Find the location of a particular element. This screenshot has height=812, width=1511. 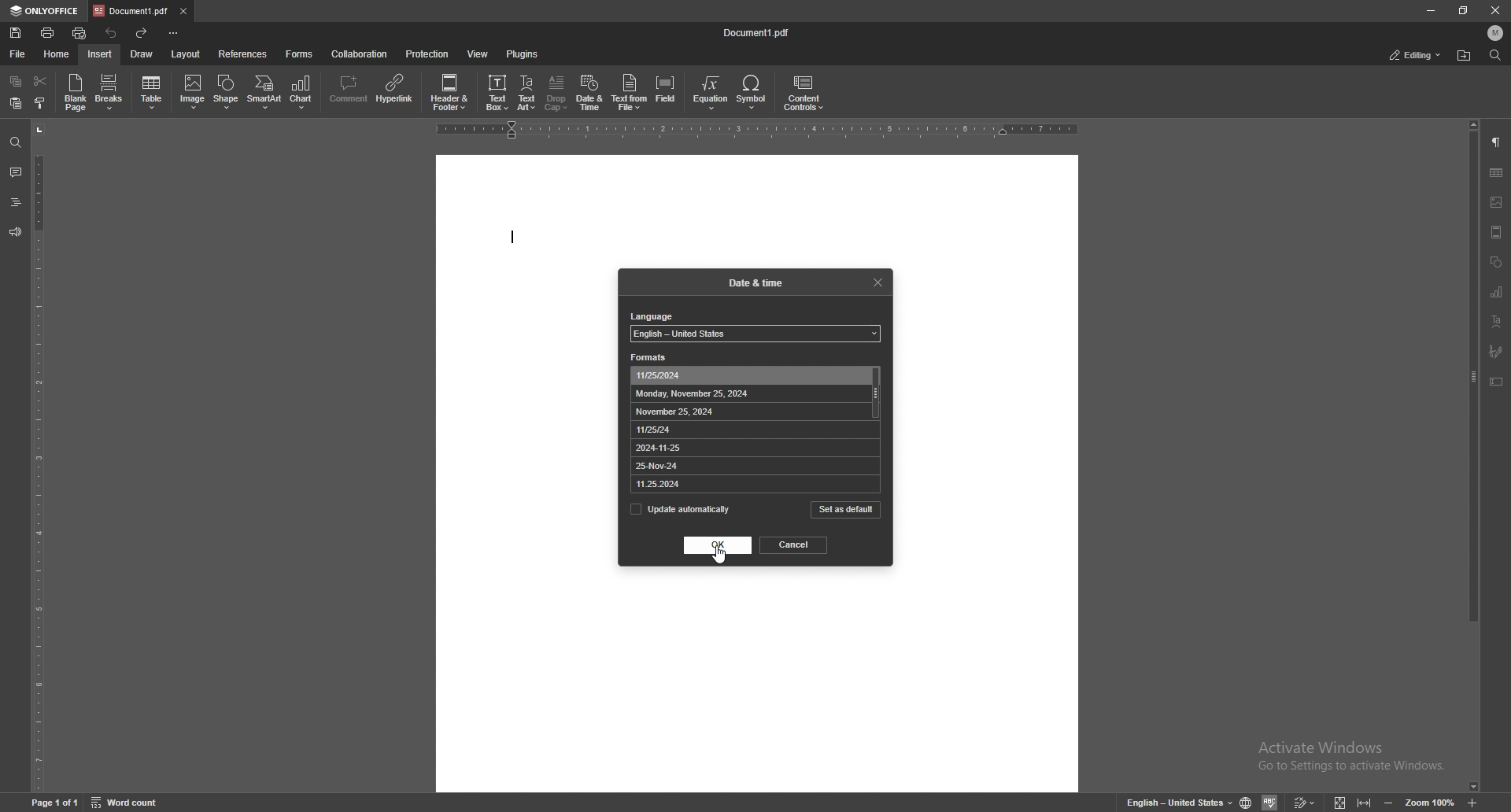

field is located at coordinates (665, 92).